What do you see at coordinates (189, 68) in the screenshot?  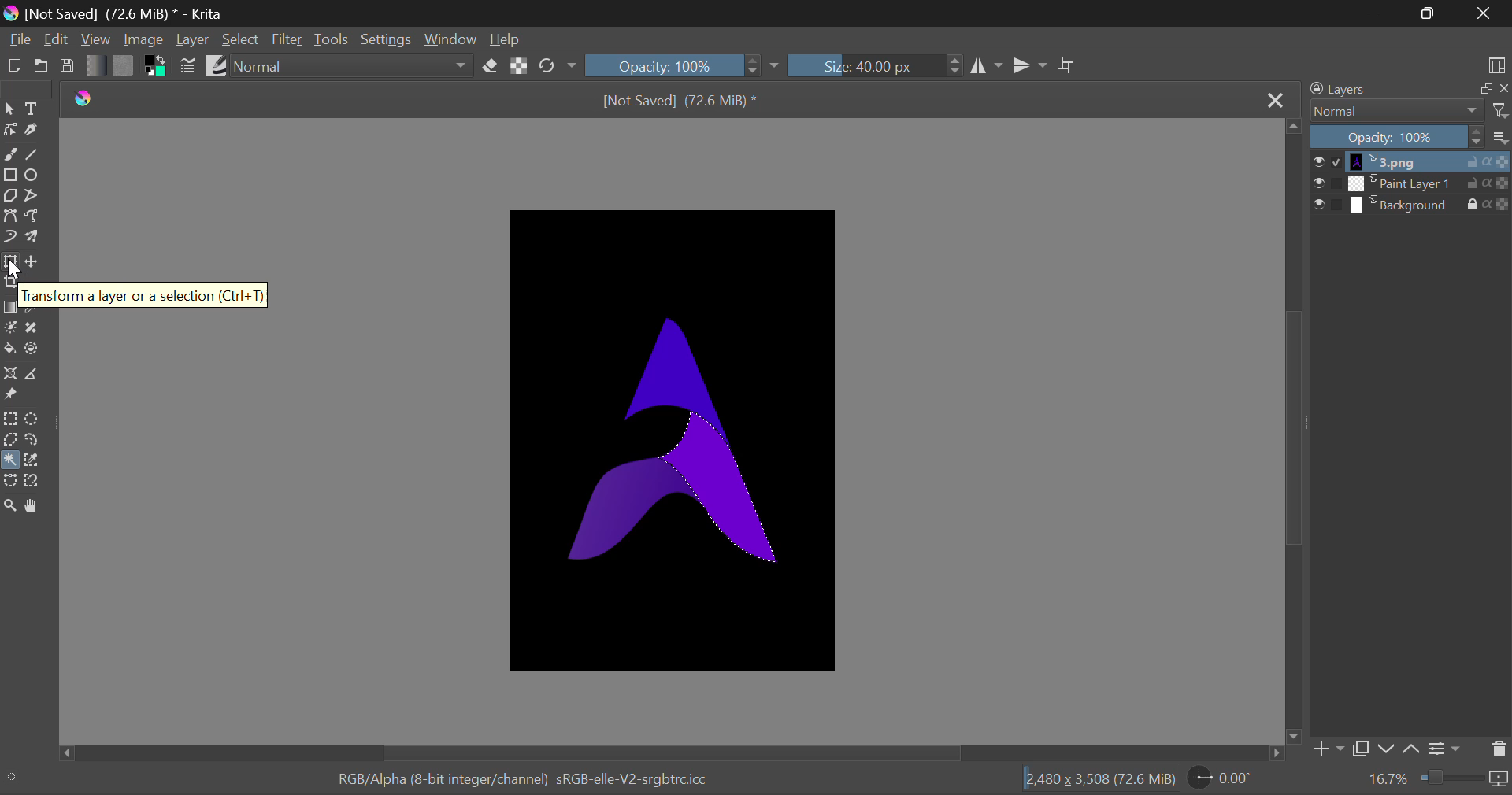 I see `Brush Settings` at bounding box center [189, 68].